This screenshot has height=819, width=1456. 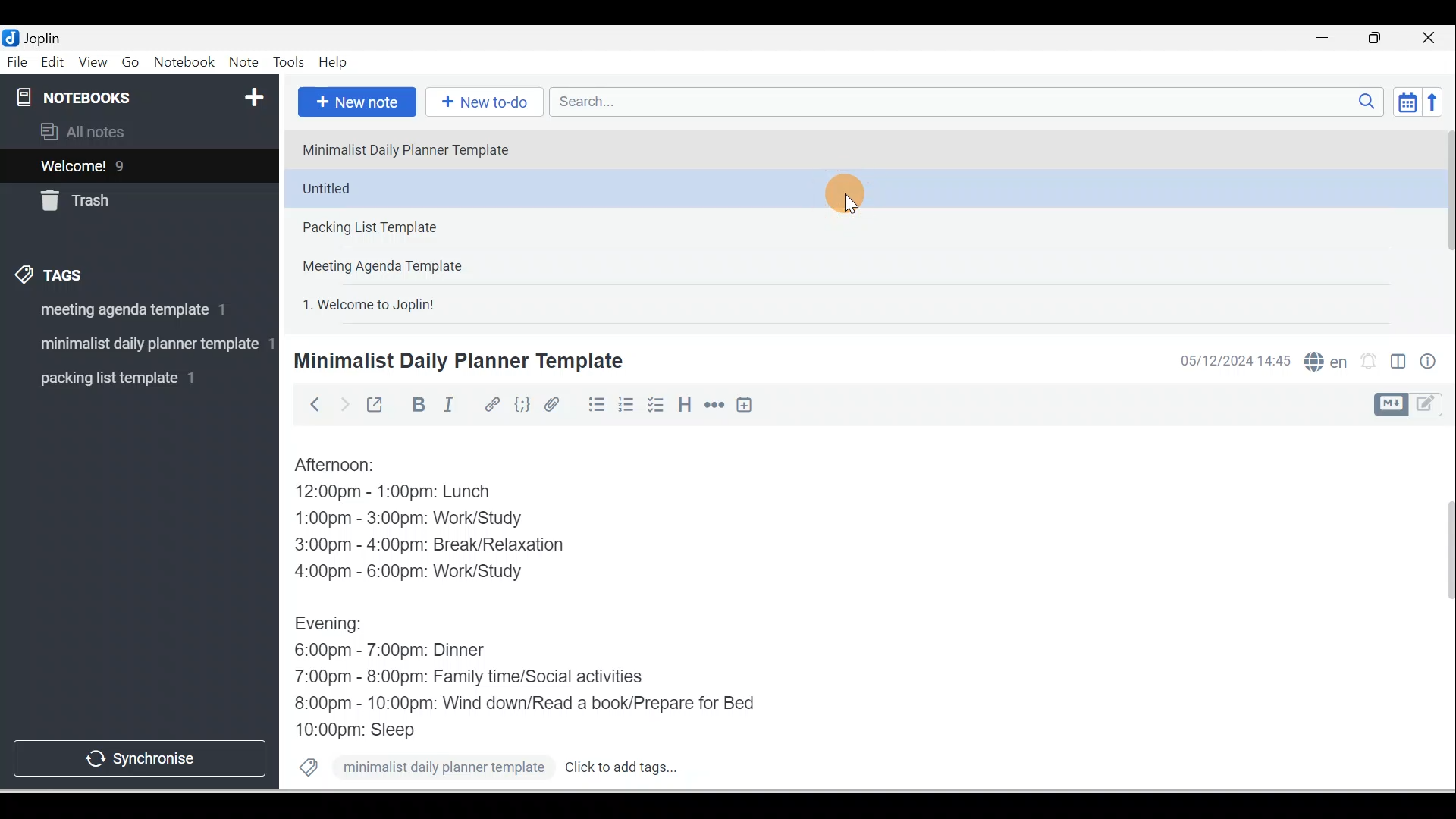 I want to click on 1:00pm - 3:00pm: Work/Study, so click(x=409, y=519).